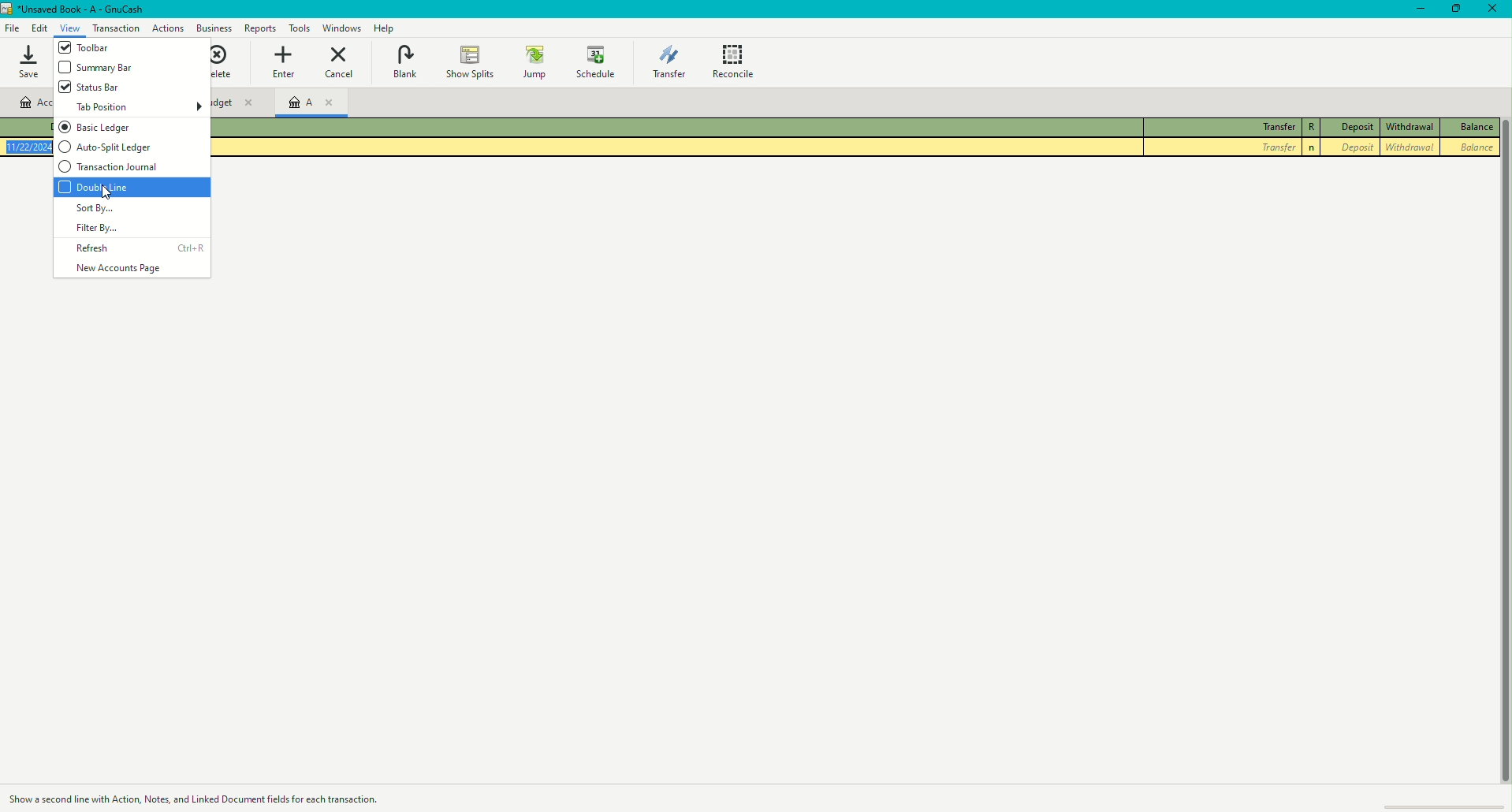 The height and width of the screenshot is (812, 1512). Describe the element at coordinates (32, 63) in the screenshot. I see `Save` at that location.